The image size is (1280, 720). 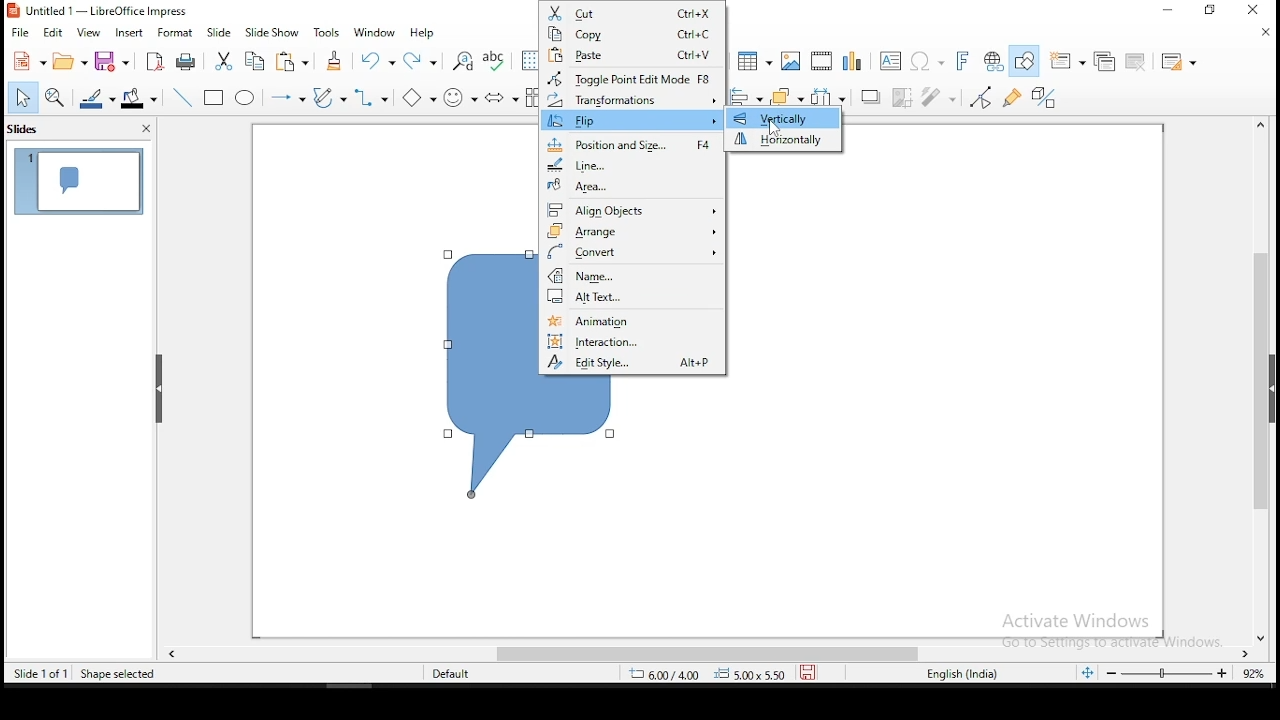 I want to click on convert, so click(x=631, y=252).